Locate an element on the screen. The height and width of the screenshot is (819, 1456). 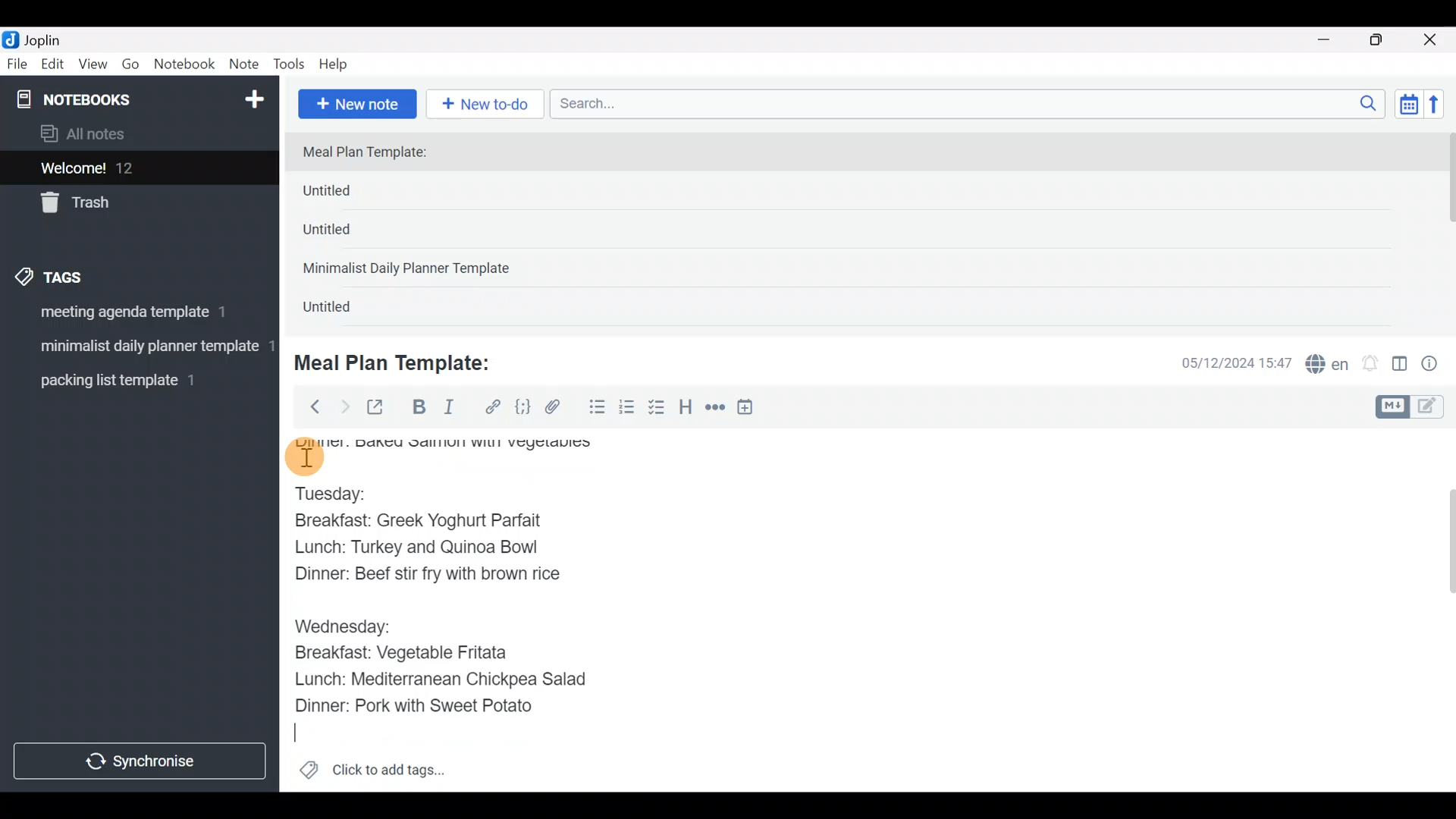
Untitled is located at coordinates (352, 194).